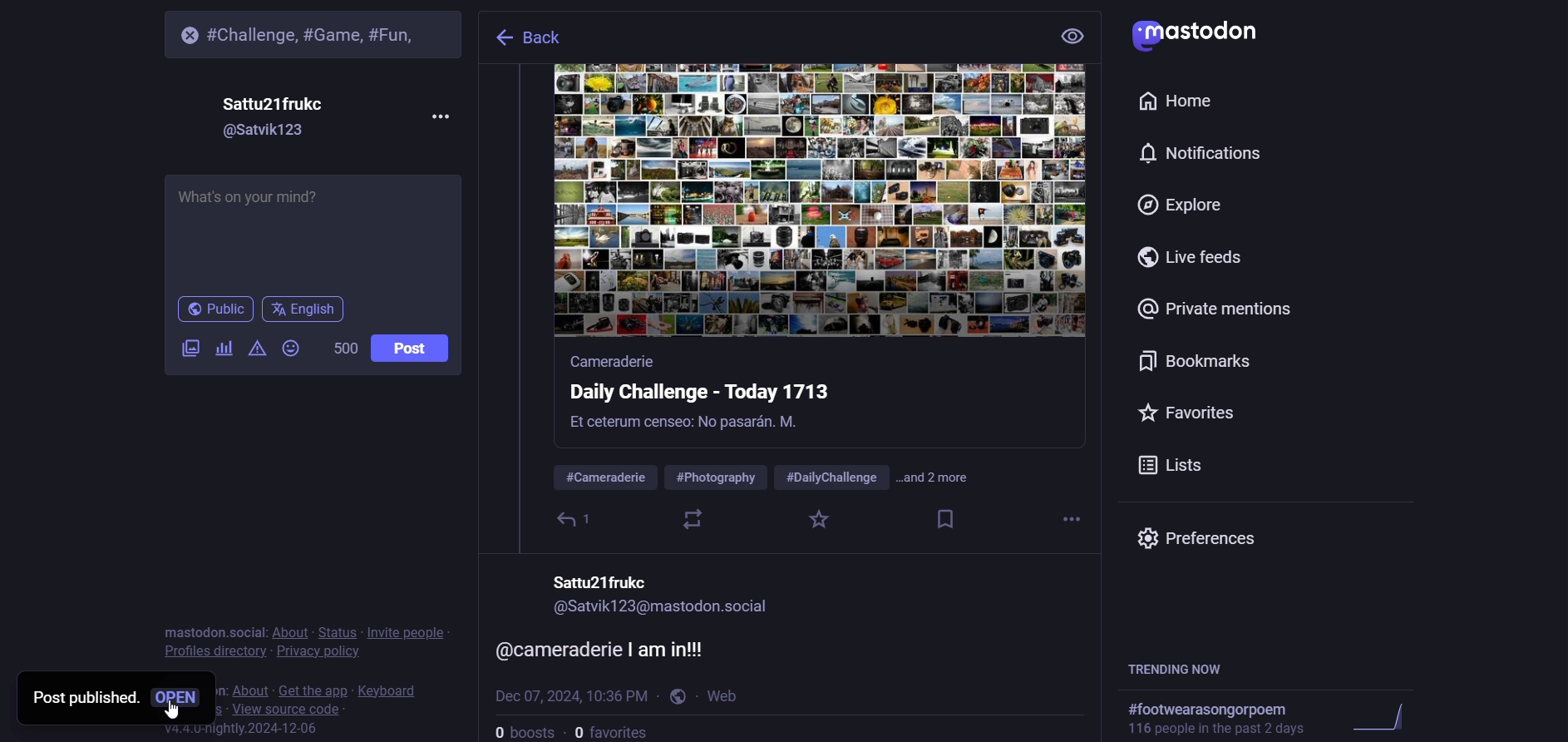 This screenshot has width=1568, height=742. What do you see at coordinates (944, 480) in the screenshot?
I see `and 2 more` at bounding box center [944, 480].